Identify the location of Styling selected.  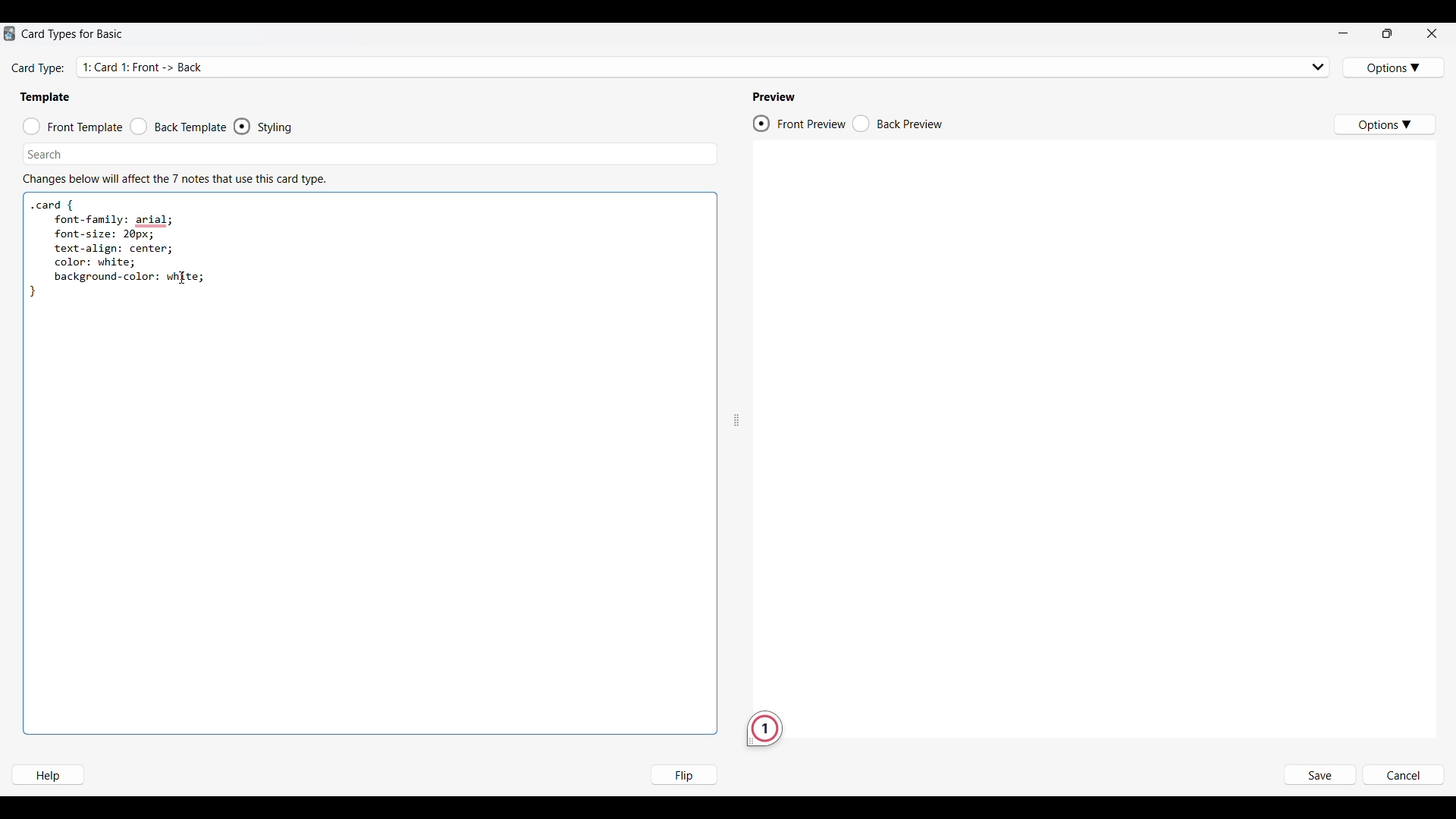
(243, 126).